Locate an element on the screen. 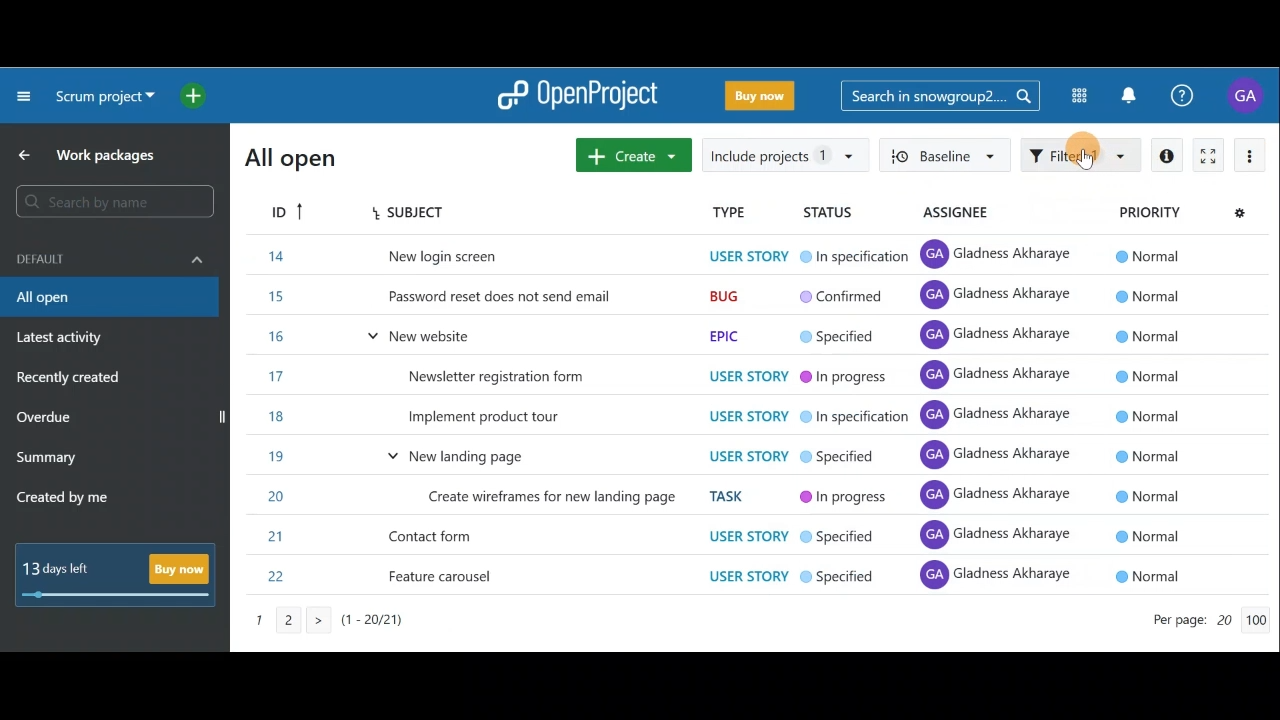 The image size is (1280, 720). OpenProject is located at coordinates (578, 99).